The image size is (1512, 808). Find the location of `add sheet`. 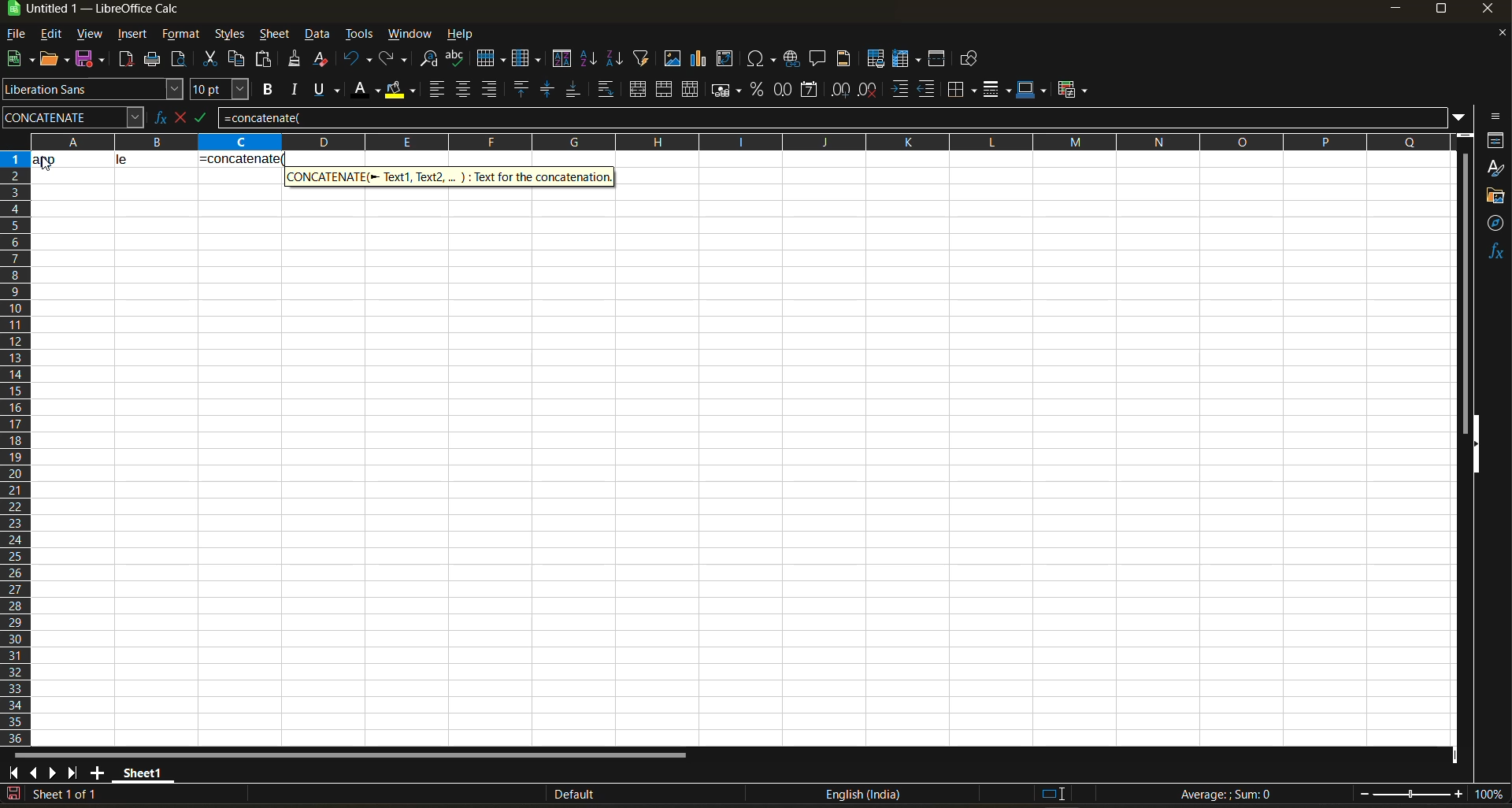

add sheet is located at coordinates (97, 773).